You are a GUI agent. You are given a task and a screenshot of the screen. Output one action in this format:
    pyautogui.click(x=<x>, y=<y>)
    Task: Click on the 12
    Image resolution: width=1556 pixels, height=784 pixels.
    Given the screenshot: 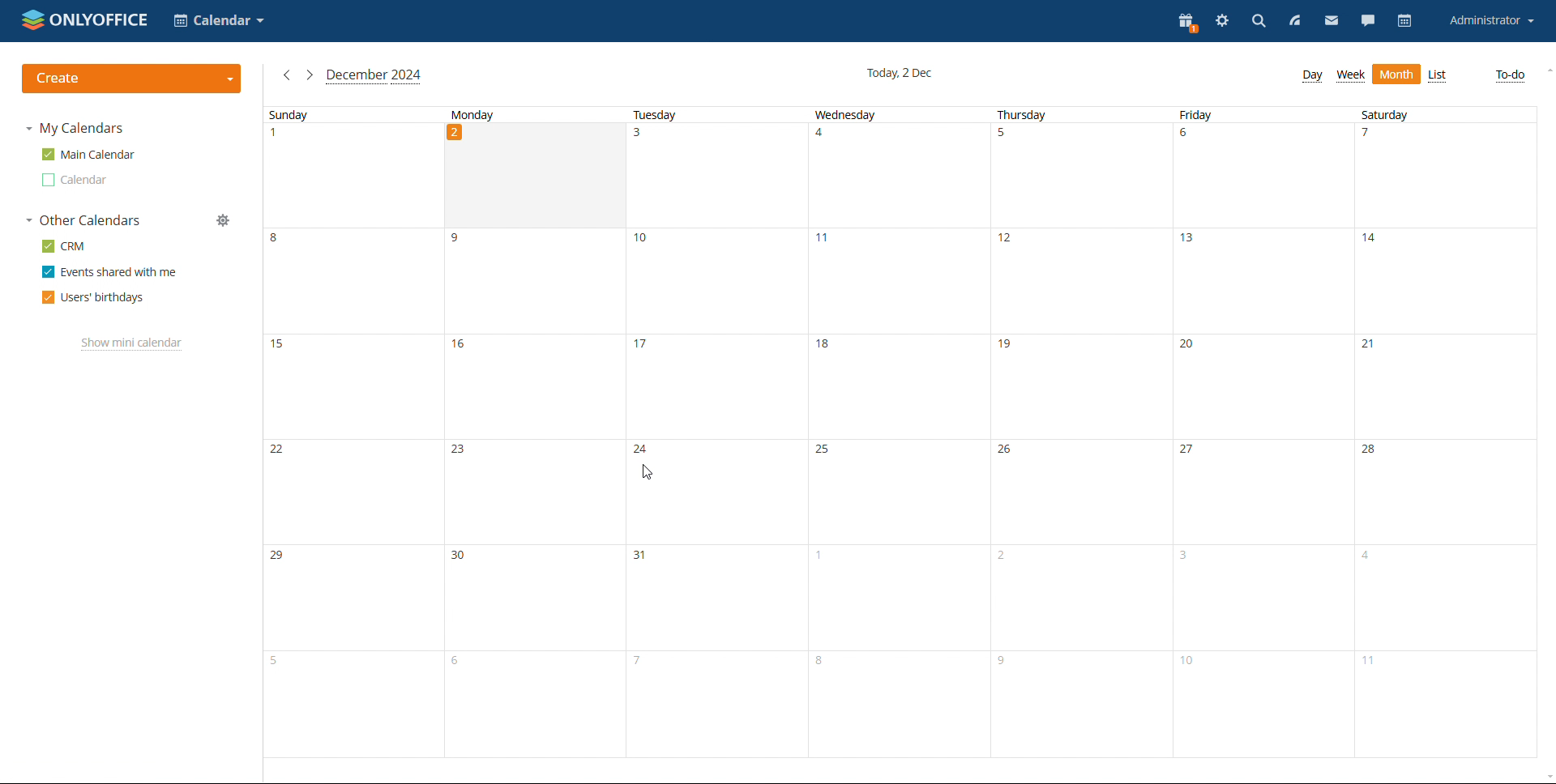 What is the action you would take?
    pyautogui.click(x=1007, y=245)
    